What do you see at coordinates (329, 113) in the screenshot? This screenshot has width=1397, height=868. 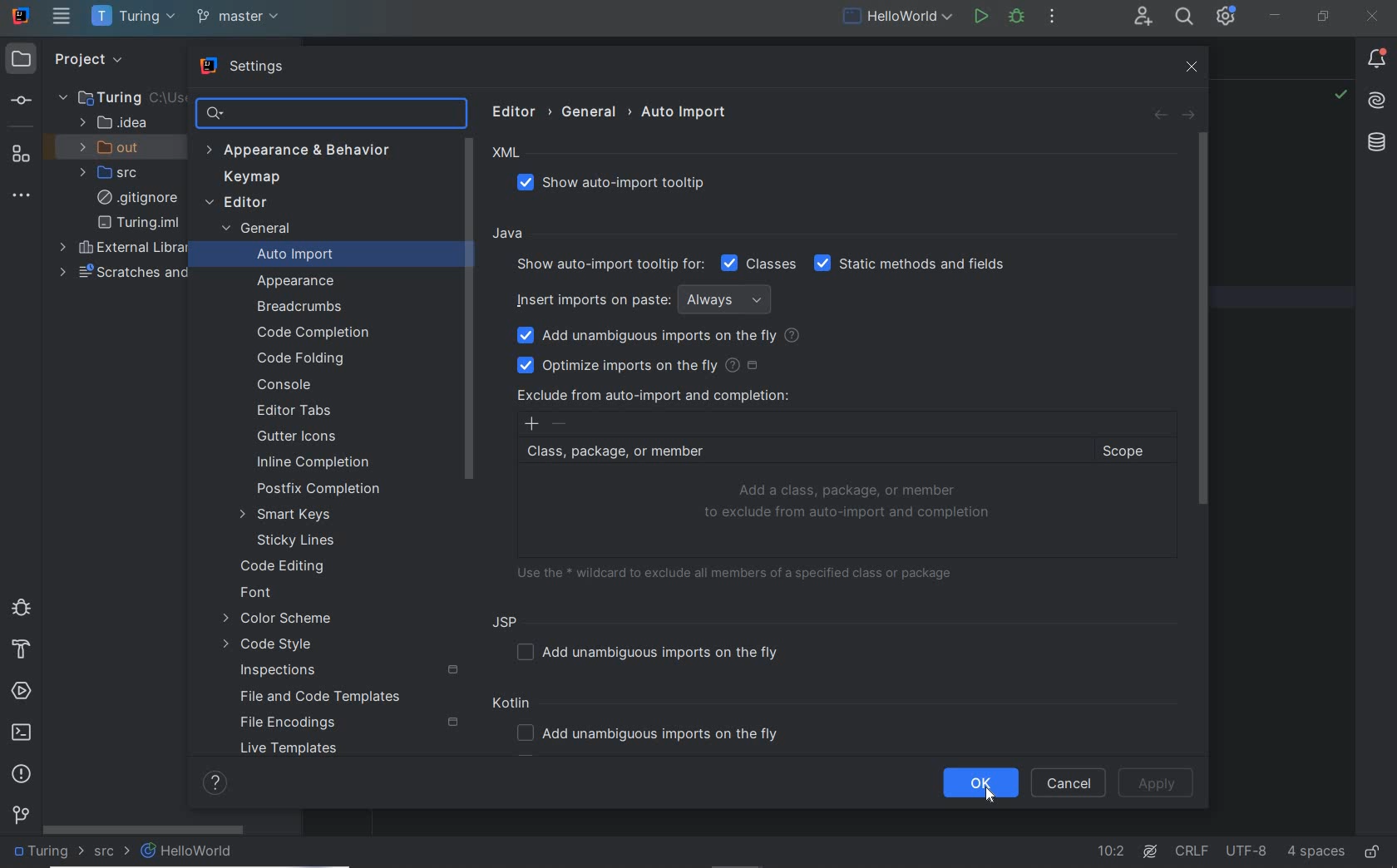 I see `RECENT SEARCH` at bounding box center [329, 113].